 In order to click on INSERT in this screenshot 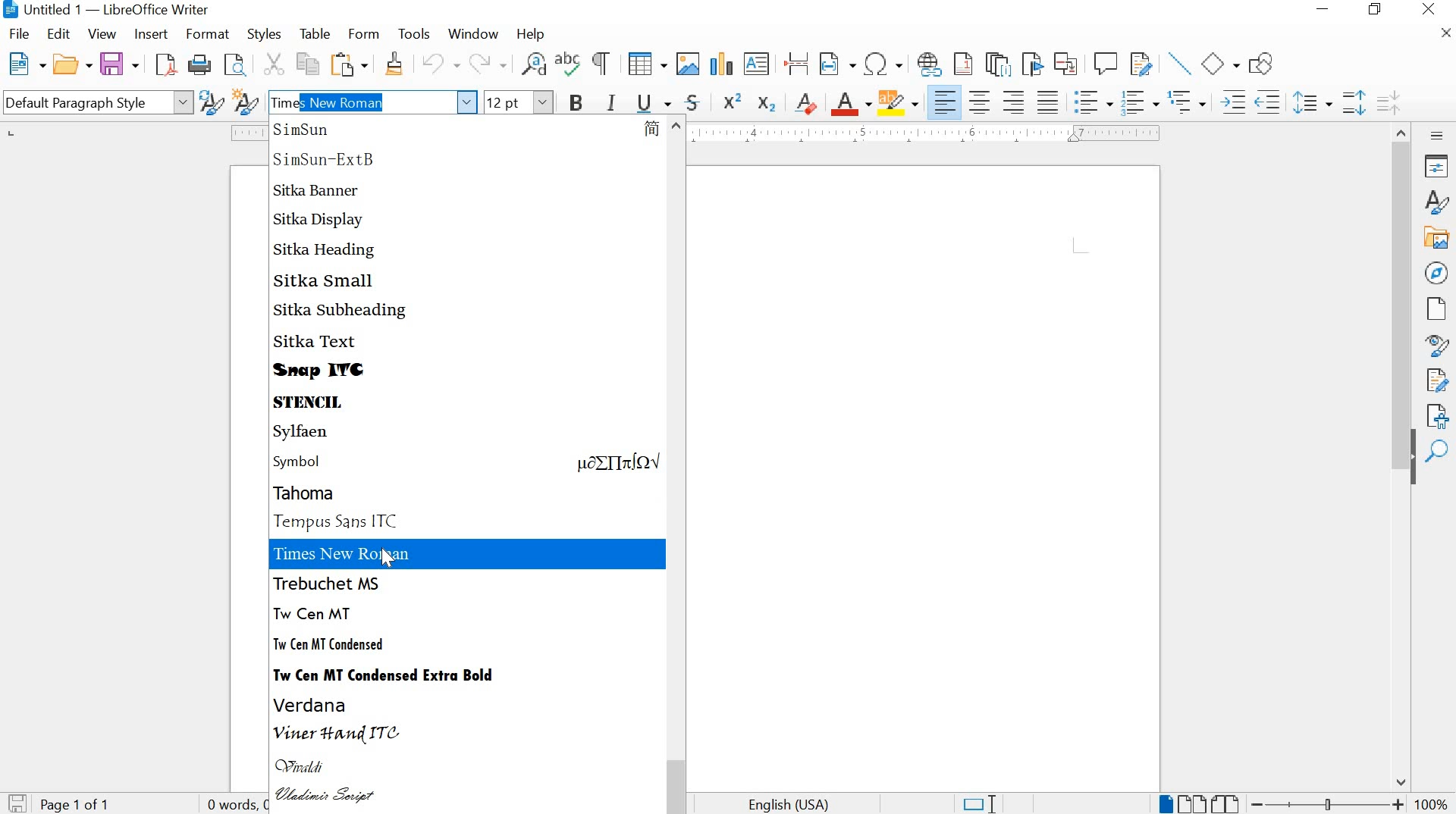, I will do `click(149, 34)`.